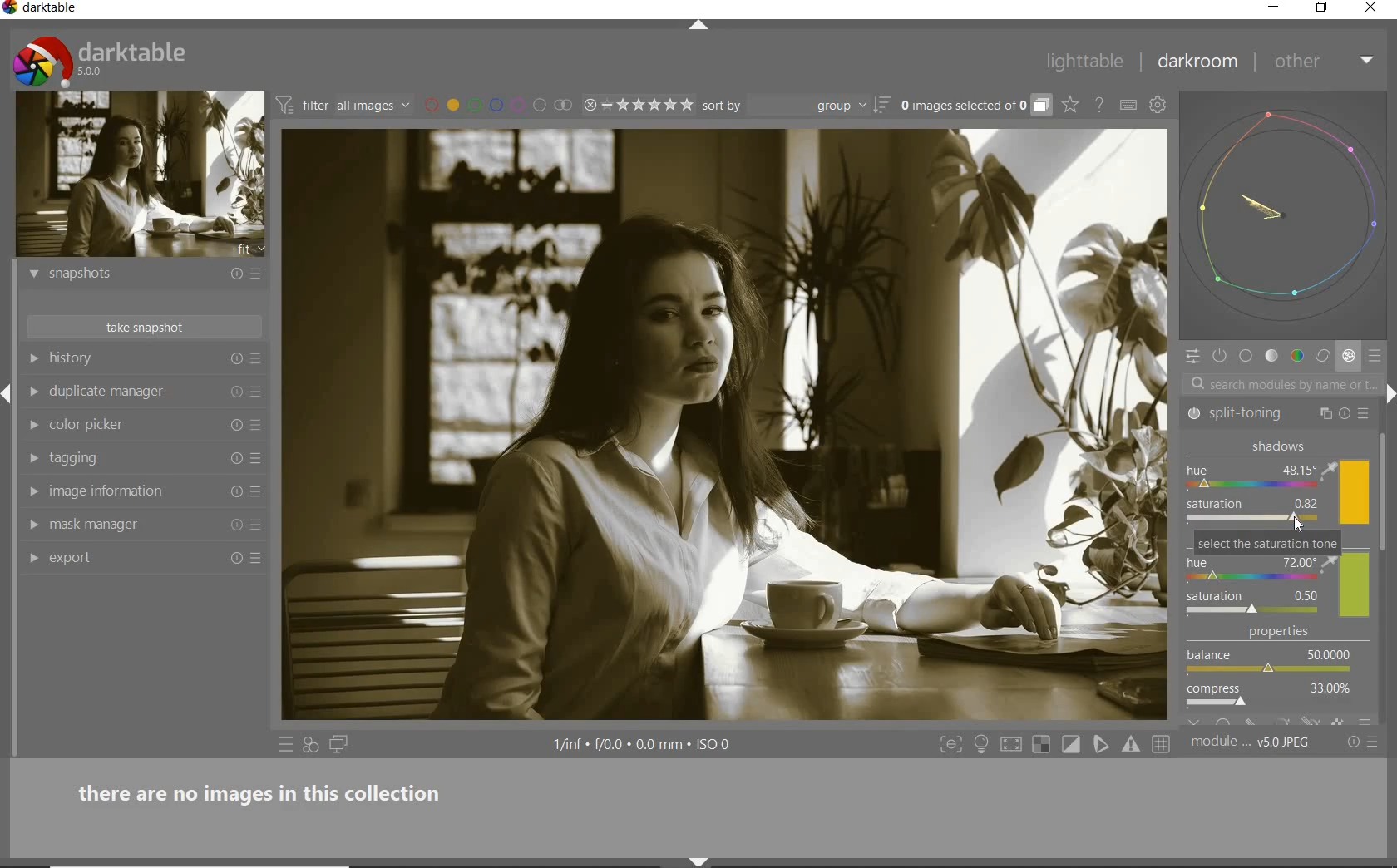 The width and height of the screenshot is (1397, 868). Describe the element at coordinates (1345, 414) in the screenshot. I see `reset` at that location.